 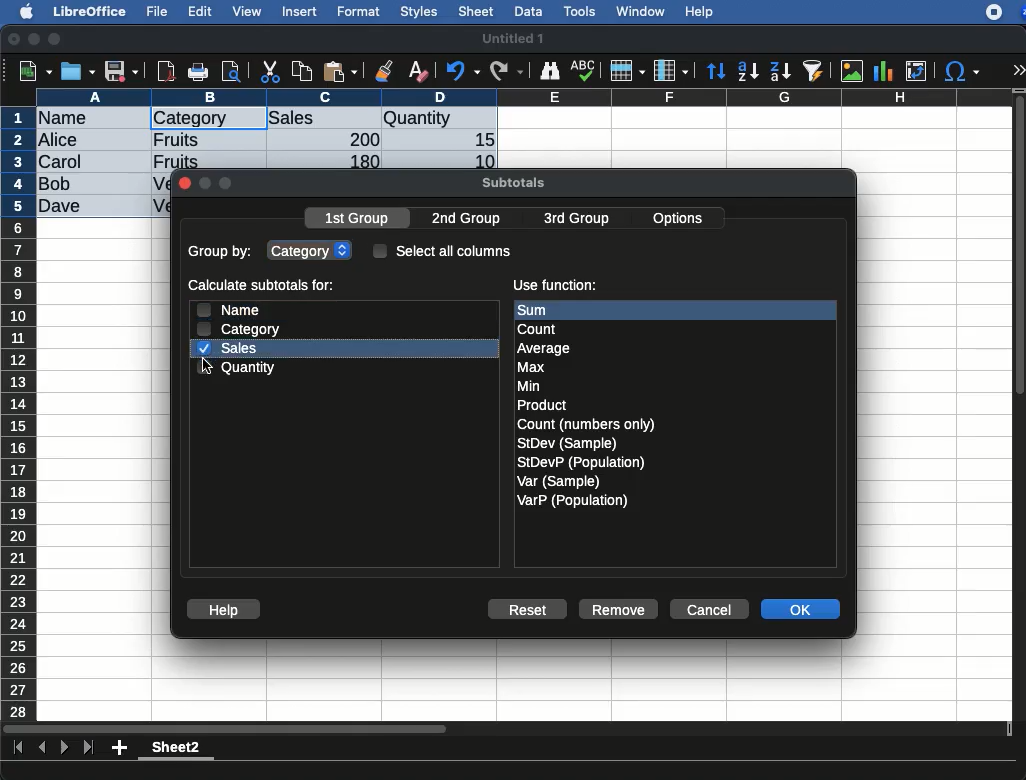 What do you see at coordinates (525, 97) in the screenshot?
I see `column` at bounding box center [525, 97].